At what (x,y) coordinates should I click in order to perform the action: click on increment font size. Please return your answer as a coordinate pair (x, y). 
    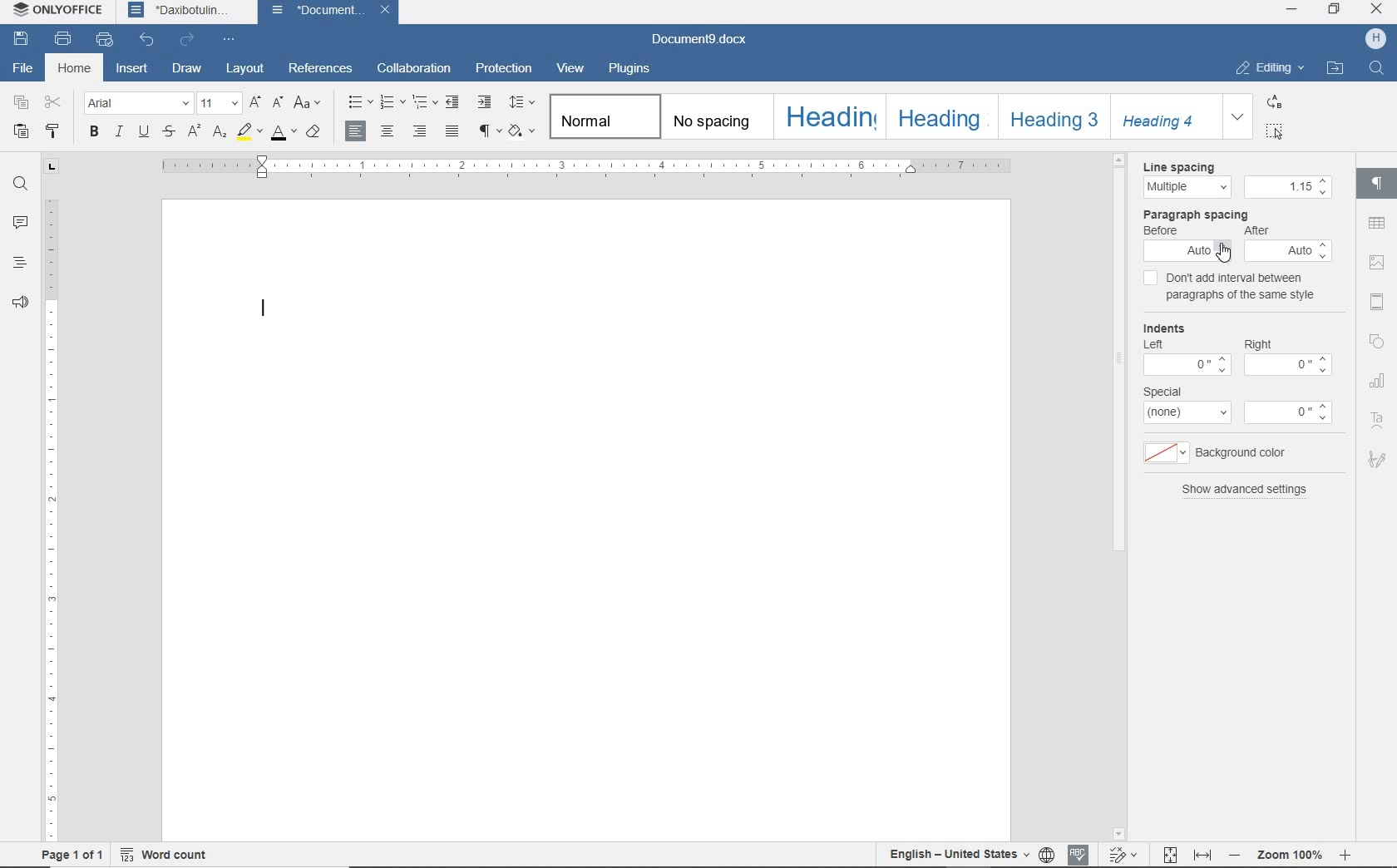
    Looking at the image, I should click on (255, 104).